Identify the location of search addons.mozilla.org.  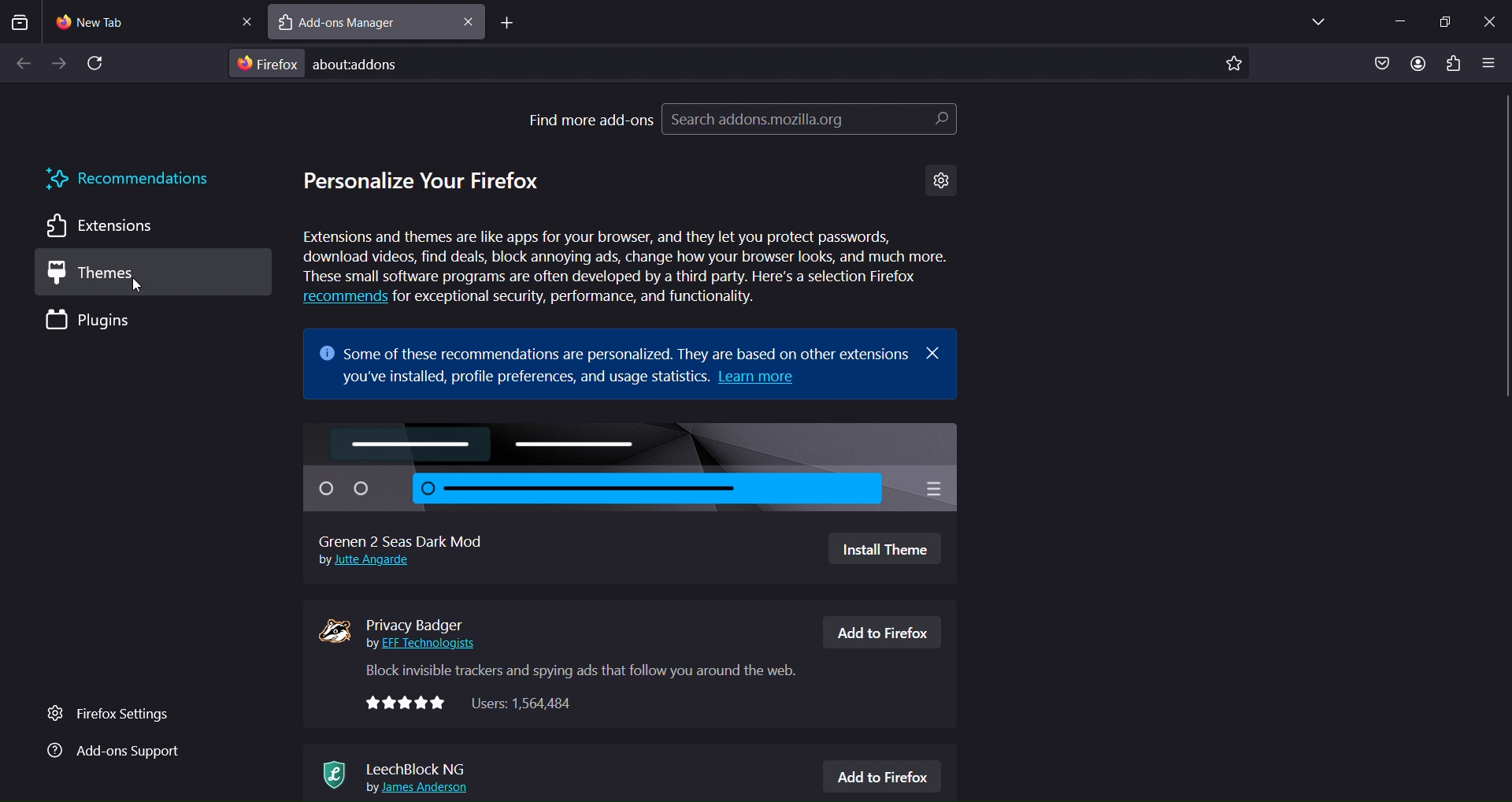
(810, 118).